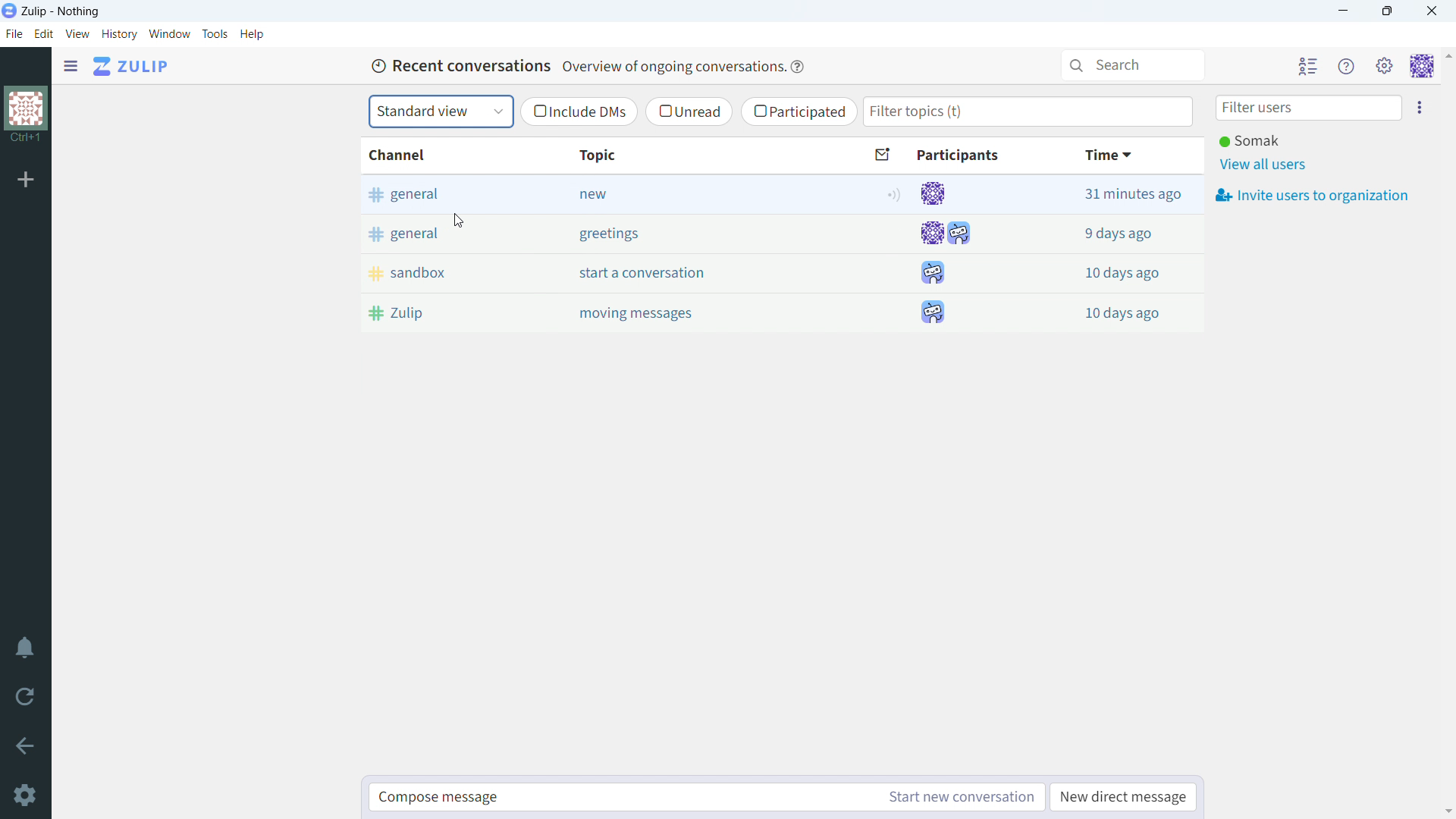 The width and height of the screenshot is (1456, 819). What do you see at coordinates (796, 67) in the screenshot?
I see `help` at bounding box center [796, 67].